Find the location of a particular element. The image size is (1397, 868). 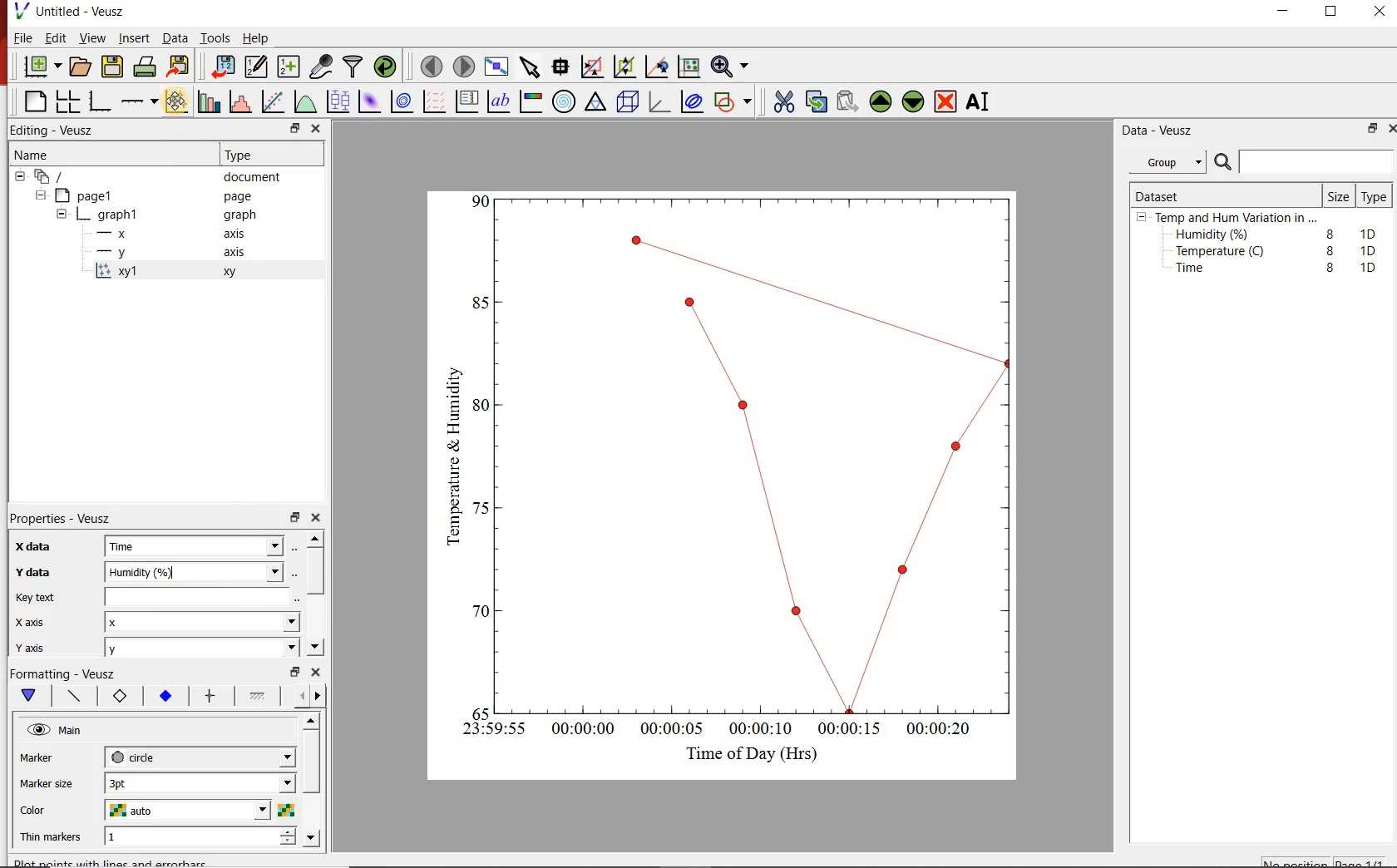

Tools is located at coordinates (214, 38).